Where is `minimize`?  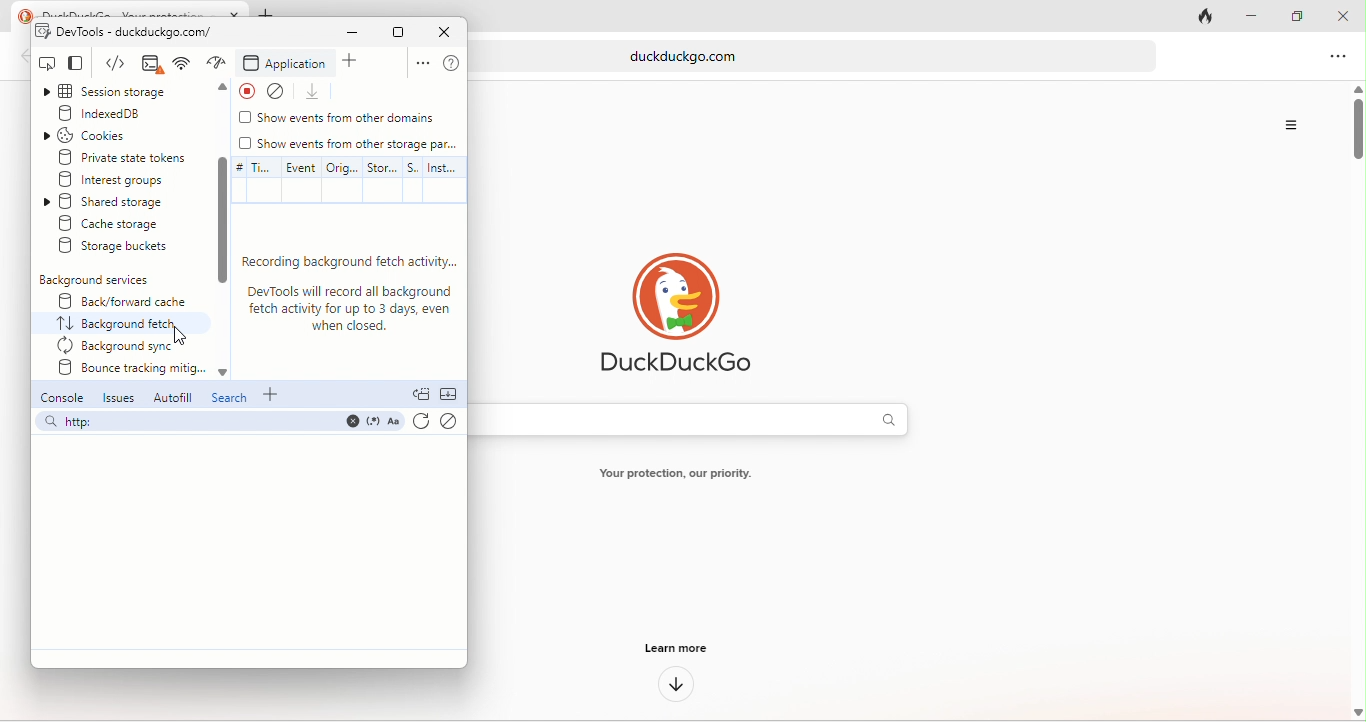 minimize is located at coordinates (345, 34).